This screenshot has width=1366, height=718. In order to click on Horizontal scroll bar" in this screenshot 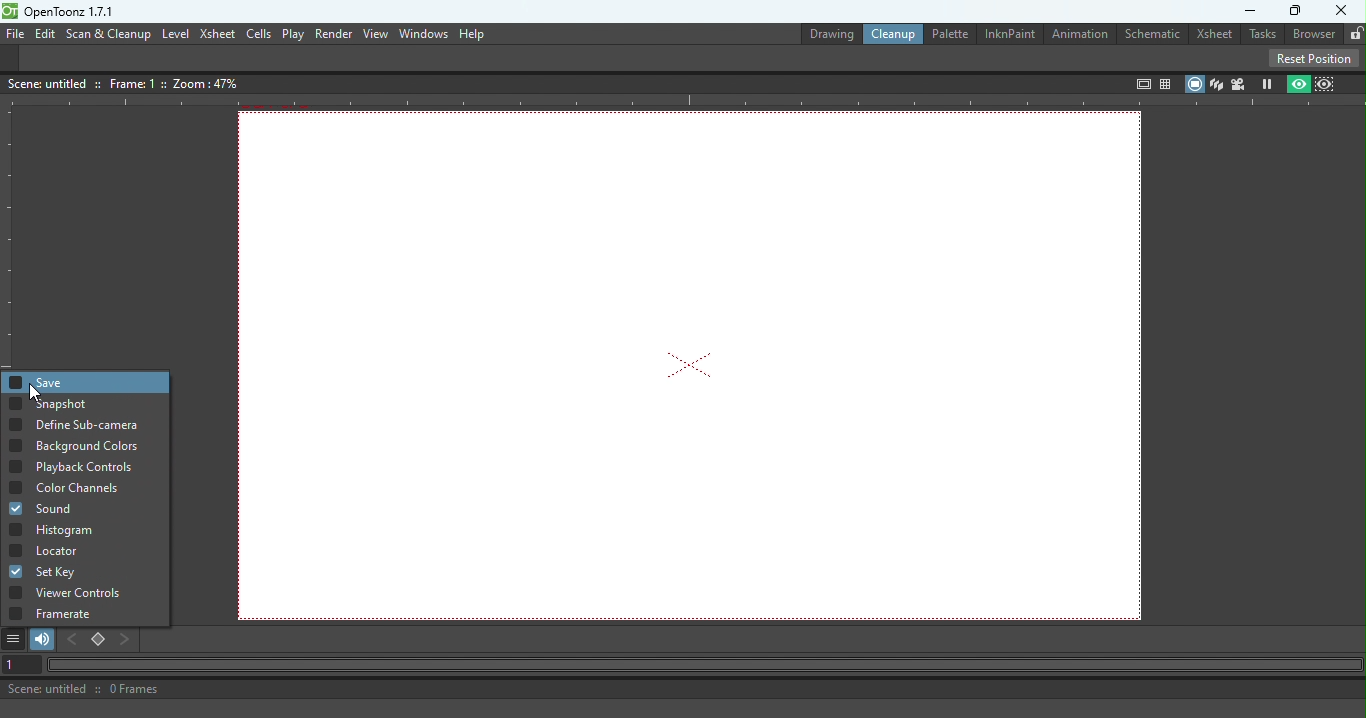, I will do `click(700, 665)`.